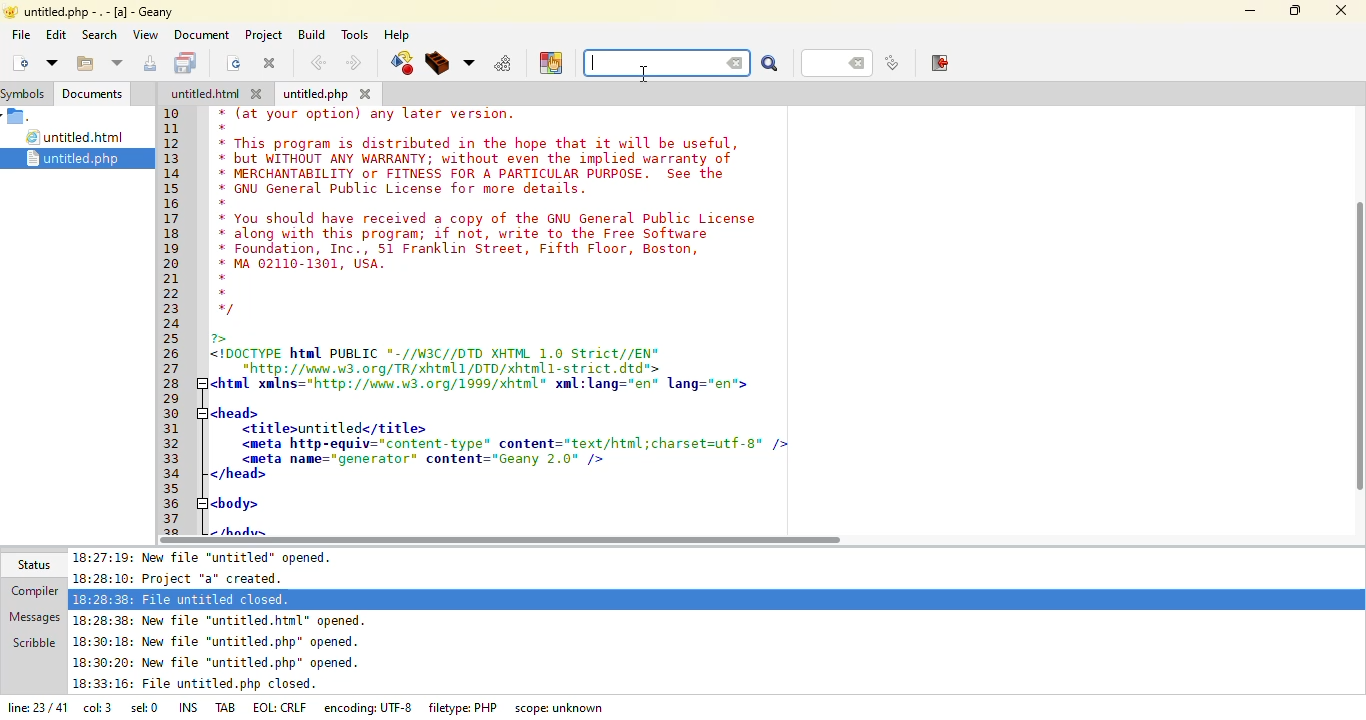 The image size is (1366, 720). I want to click on file, so click(21, 34).